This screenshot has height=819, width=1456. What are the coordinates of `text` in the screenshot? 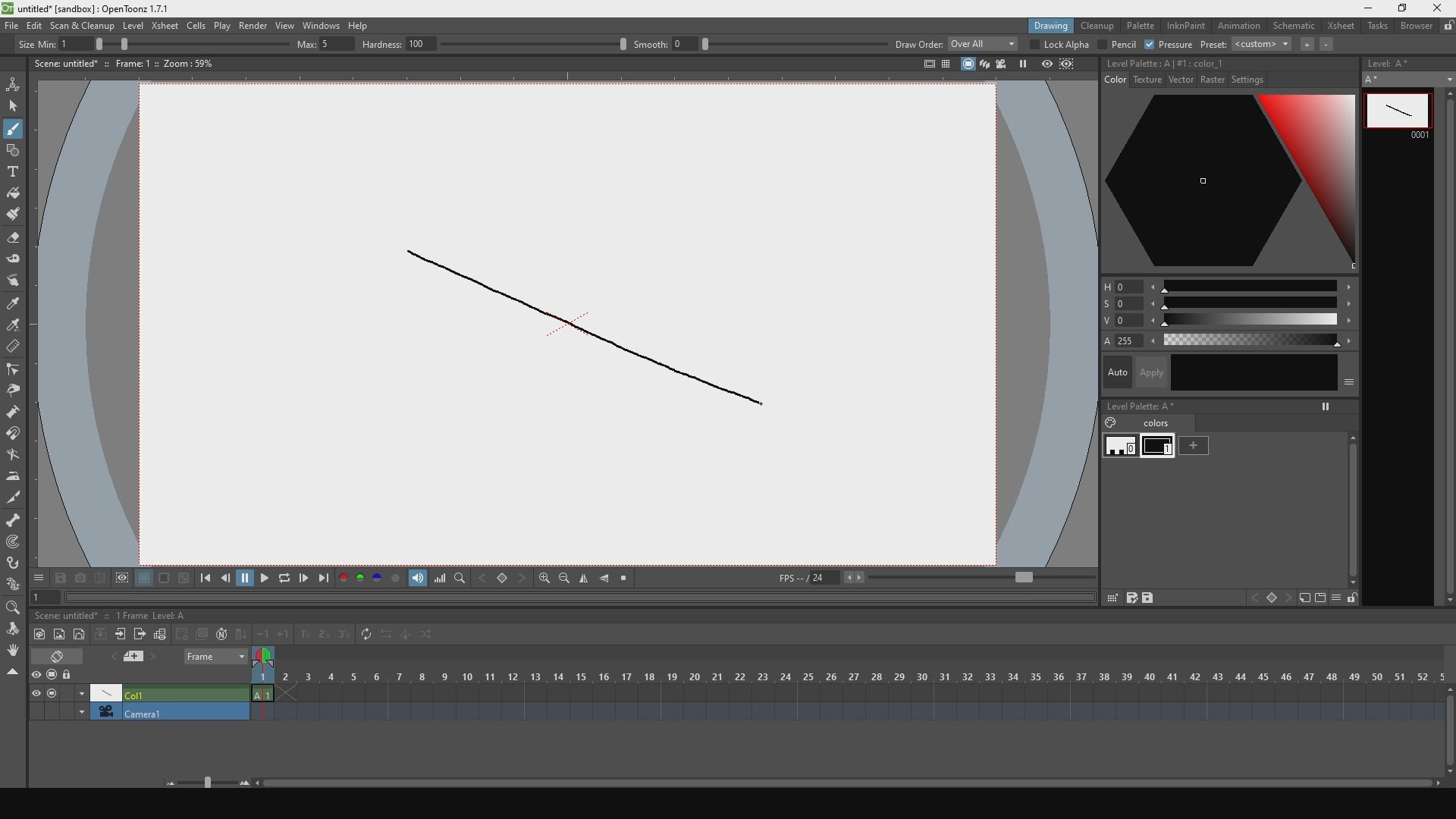 It's located at (14, 170).